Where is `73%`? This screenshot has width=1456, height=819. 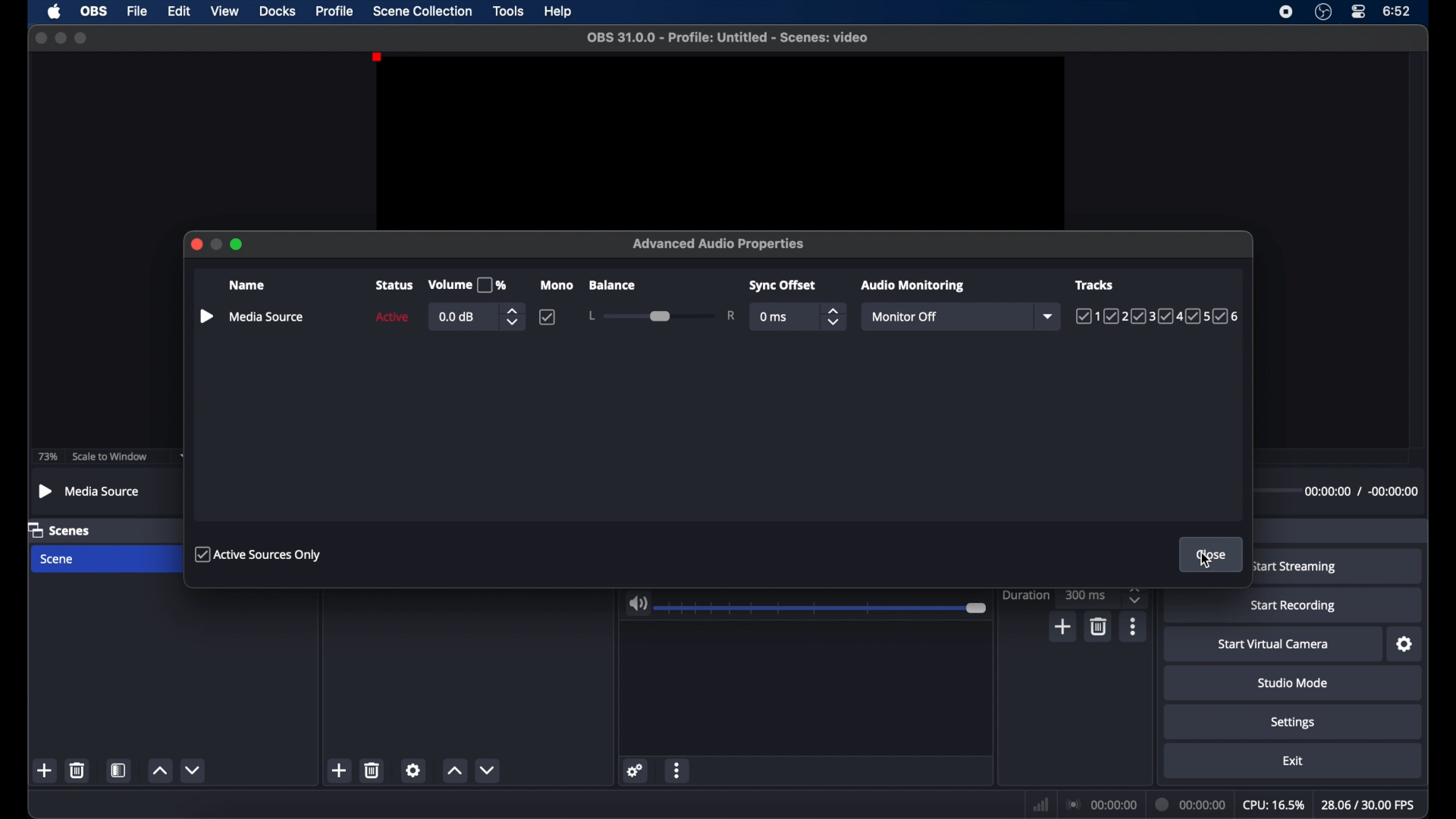 73% is located at coordinates (46, 457).